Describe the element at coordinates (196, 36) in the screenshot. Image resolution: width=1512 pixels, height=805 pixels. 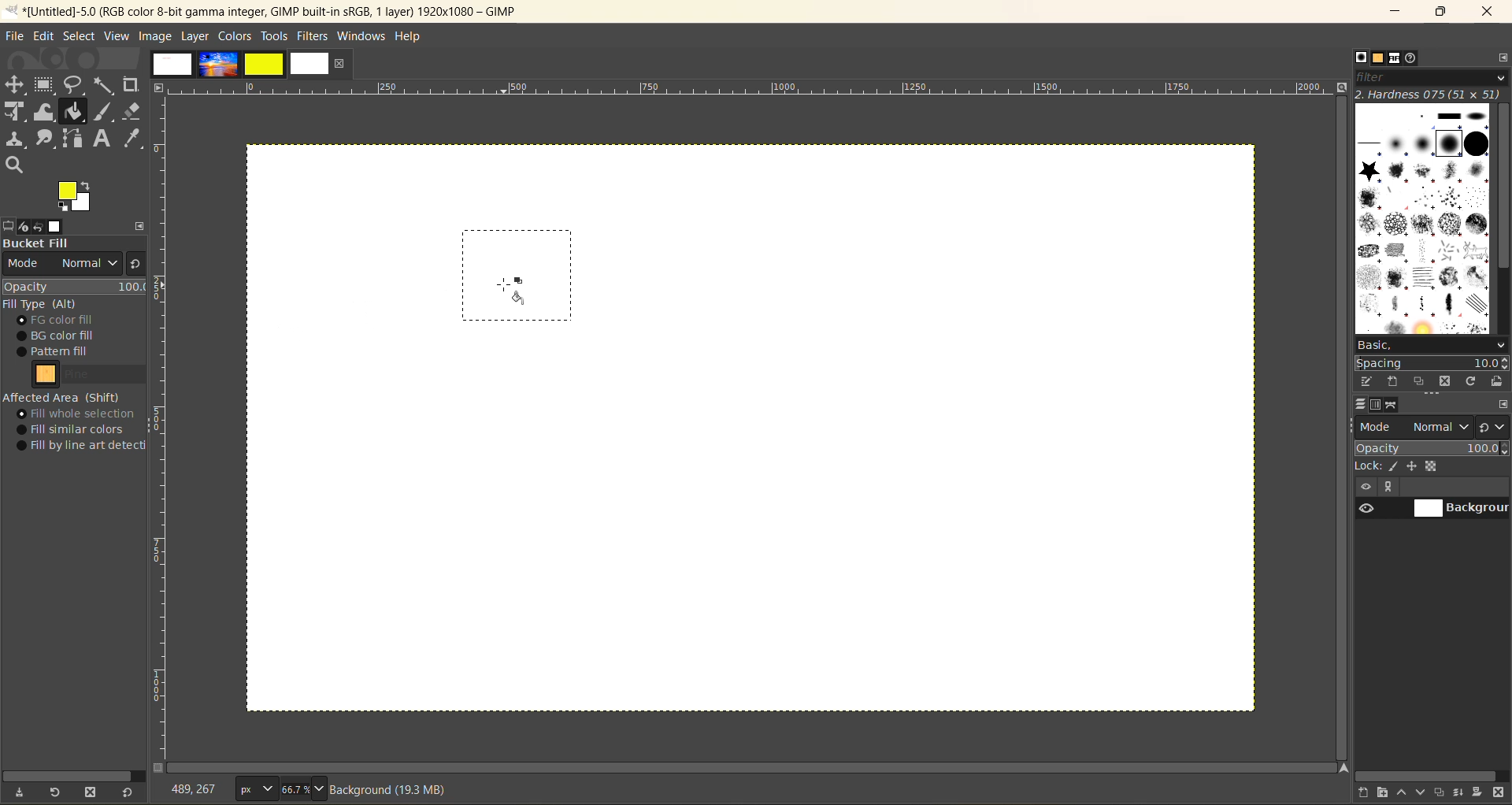
I see `layer` at that location.